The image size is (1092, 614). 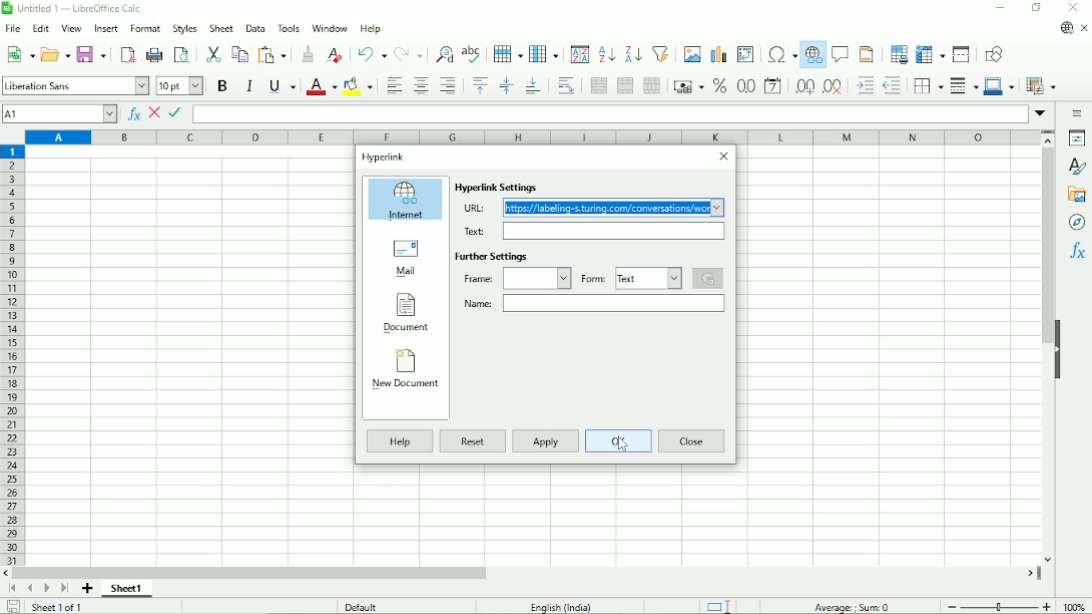 I want to click on Define print area, so click(x=898, y=54).